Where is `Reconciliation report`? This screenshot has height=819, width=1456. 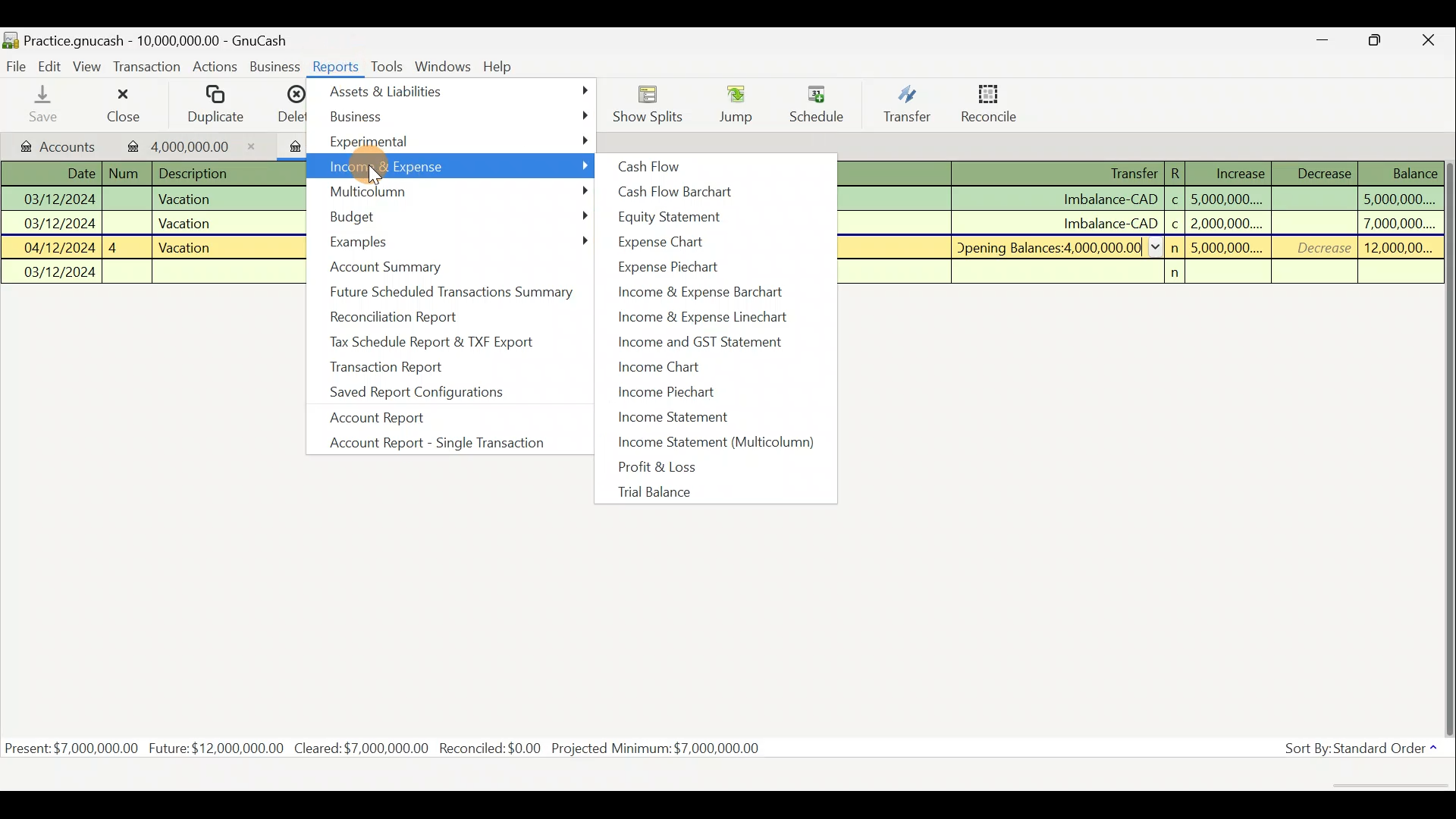 Reconciliation report is located at coordinates (413, 317).